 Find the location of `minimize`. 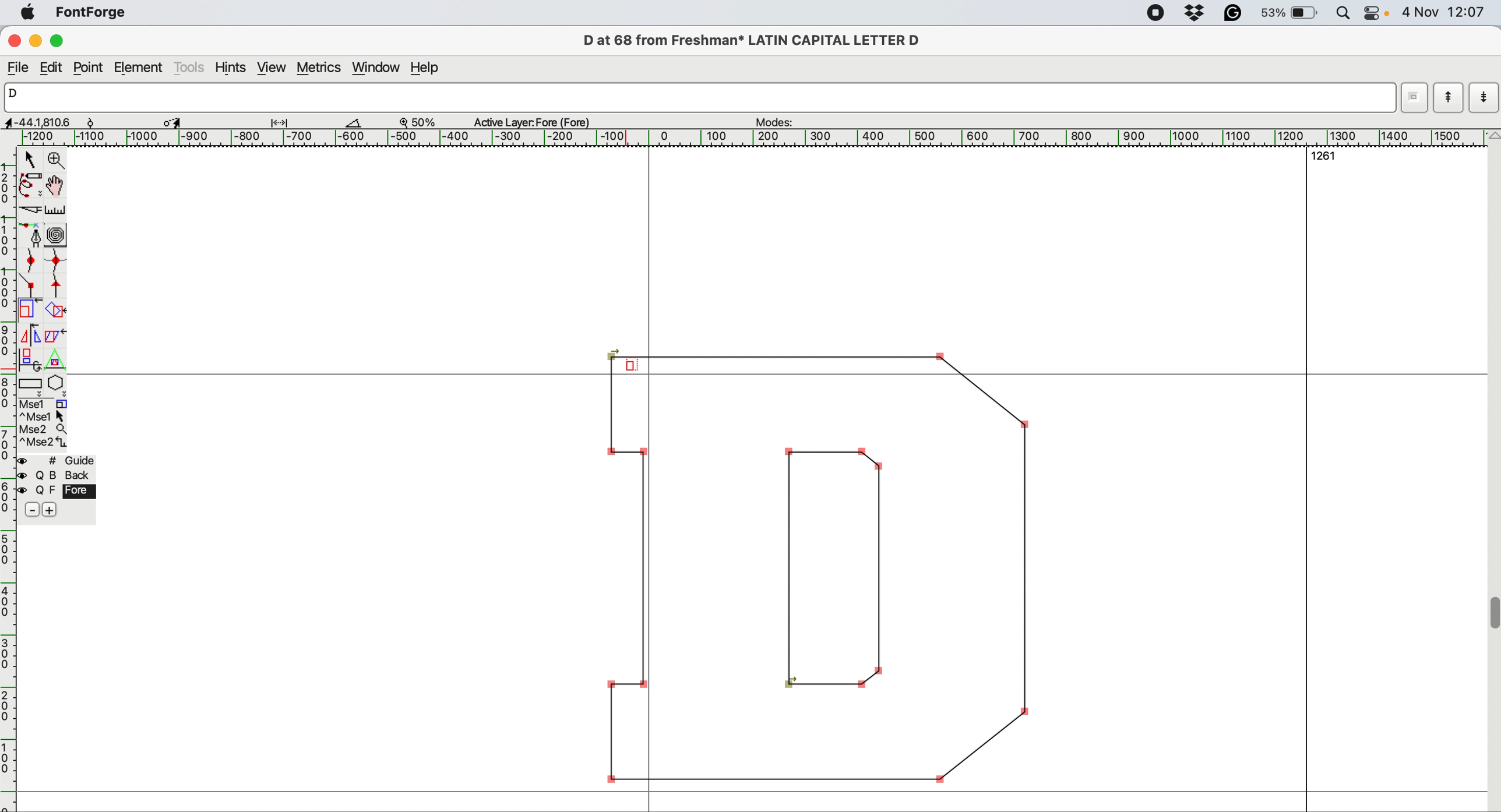

minimize is located at coordinates (37, 41).